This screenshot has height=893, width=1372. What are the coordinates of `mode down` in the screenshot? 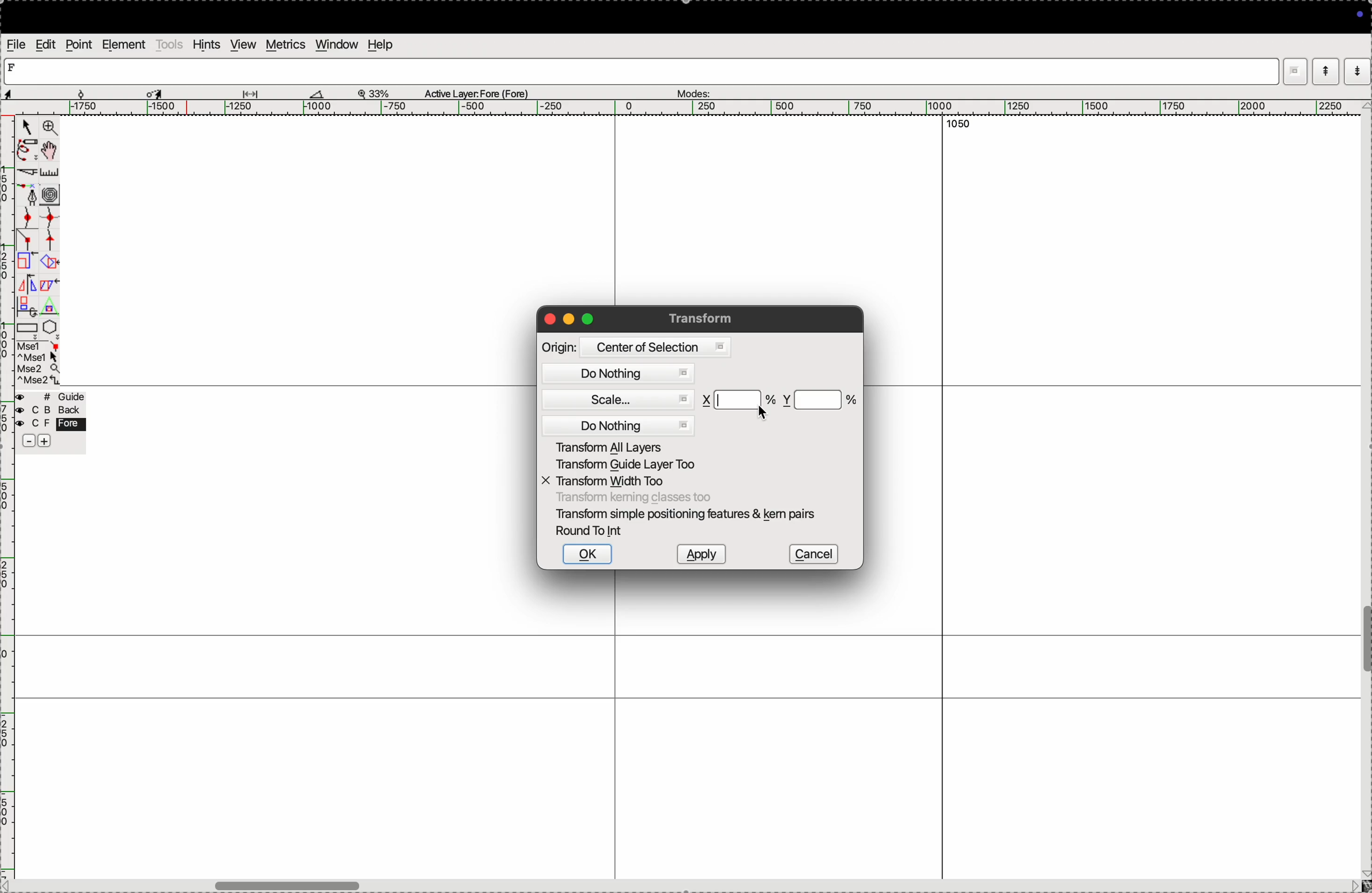 It's located at (1358, 70).